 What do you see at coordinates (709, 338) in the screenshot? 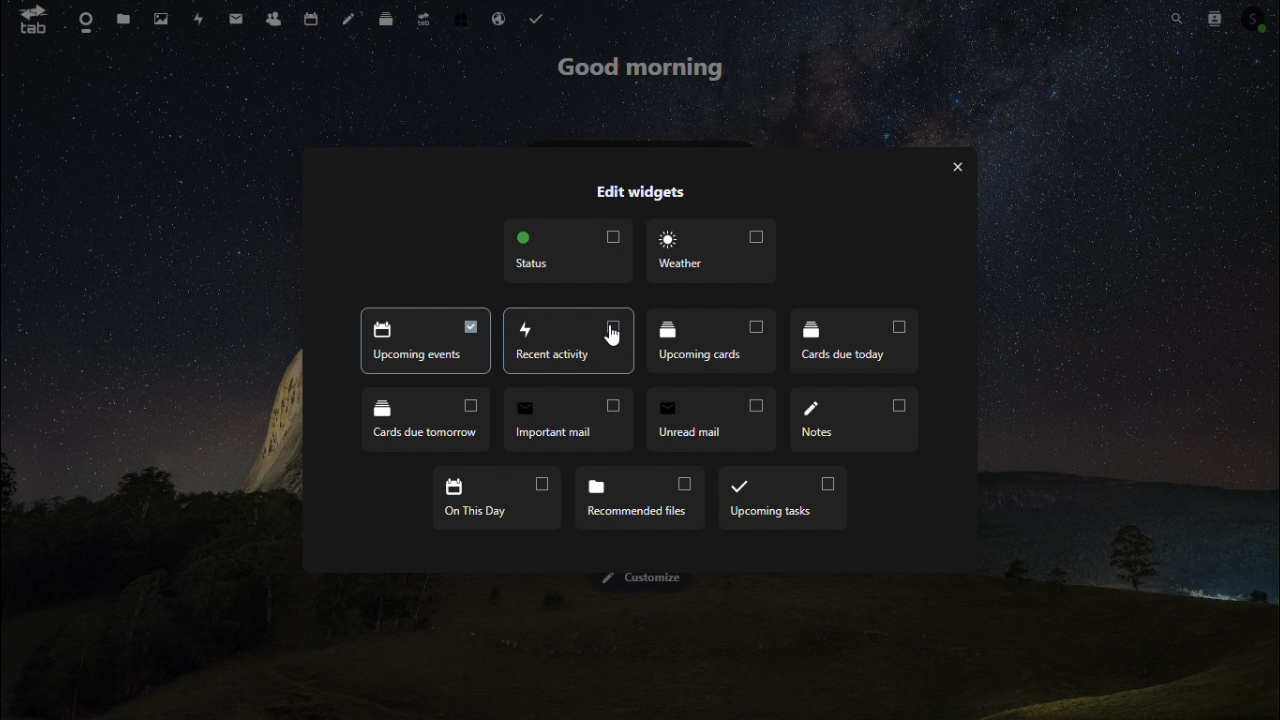
I see `Upcoming cards` at bounding box center [709, 338].